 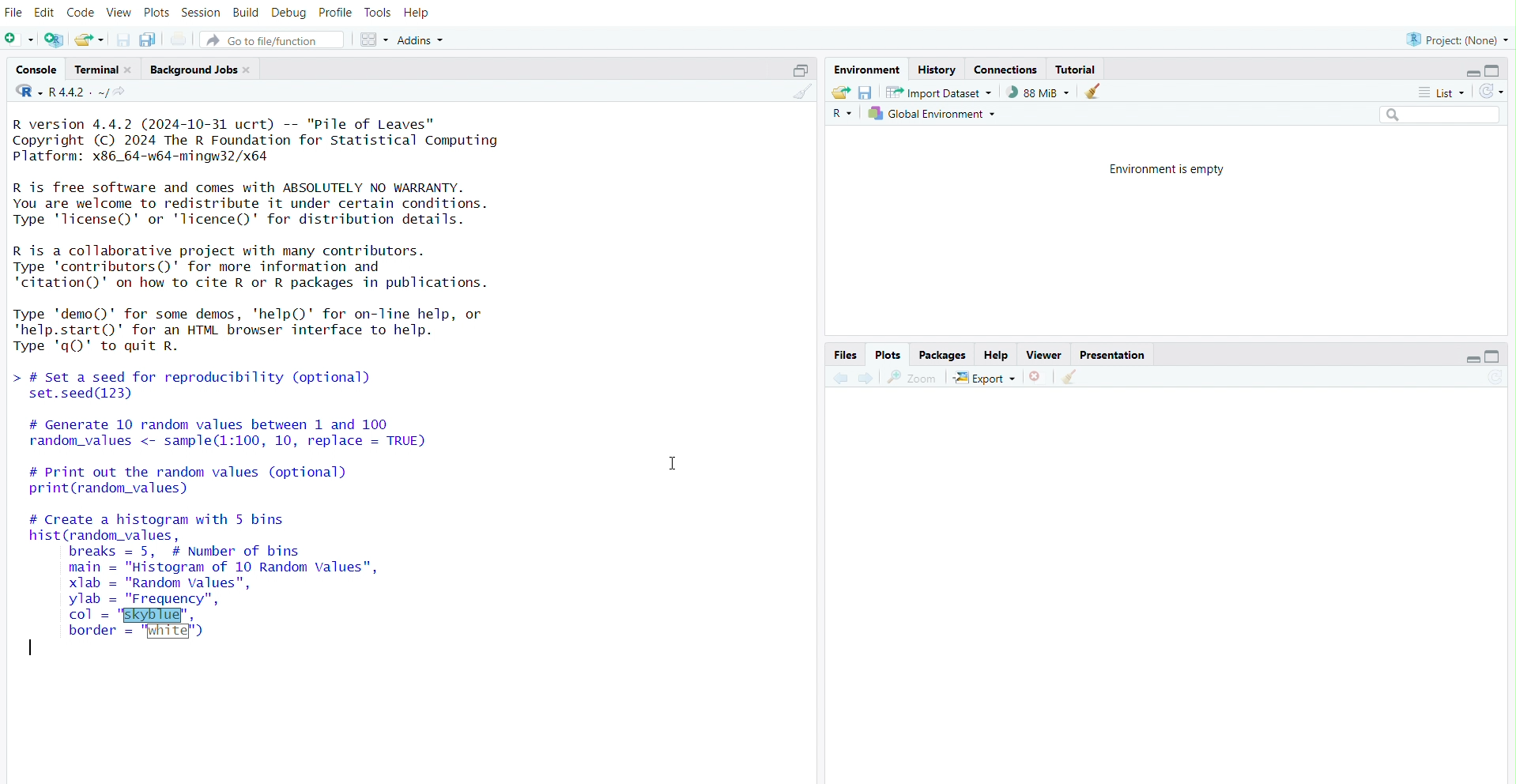 What do you see at coordinates (1497, 92) in the screenshot?
I see `refresh the list of objects in the environment` at bounding box center [1497, 92].